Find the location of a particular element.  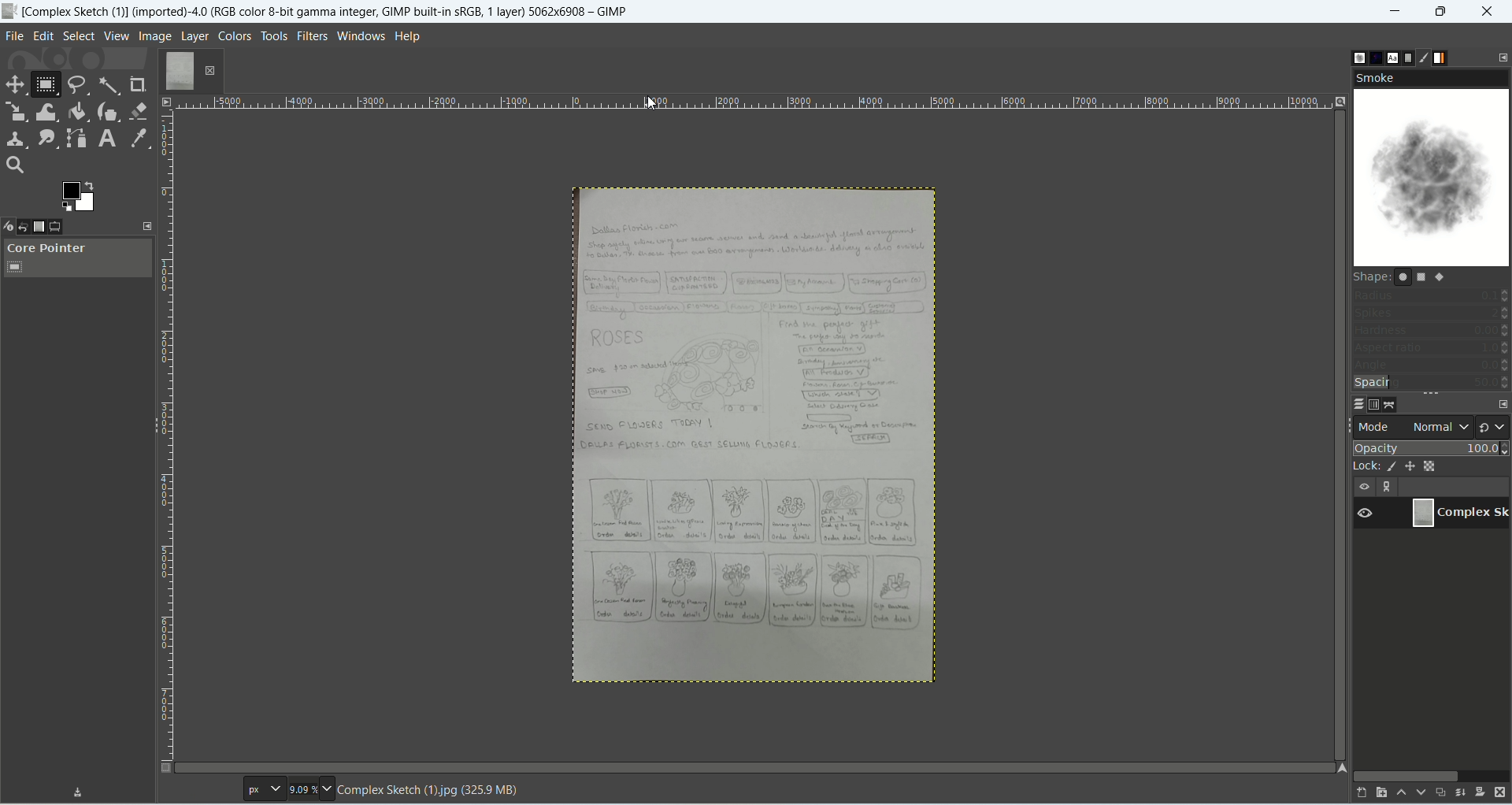

brushes is located at coordinates (1354, 58).